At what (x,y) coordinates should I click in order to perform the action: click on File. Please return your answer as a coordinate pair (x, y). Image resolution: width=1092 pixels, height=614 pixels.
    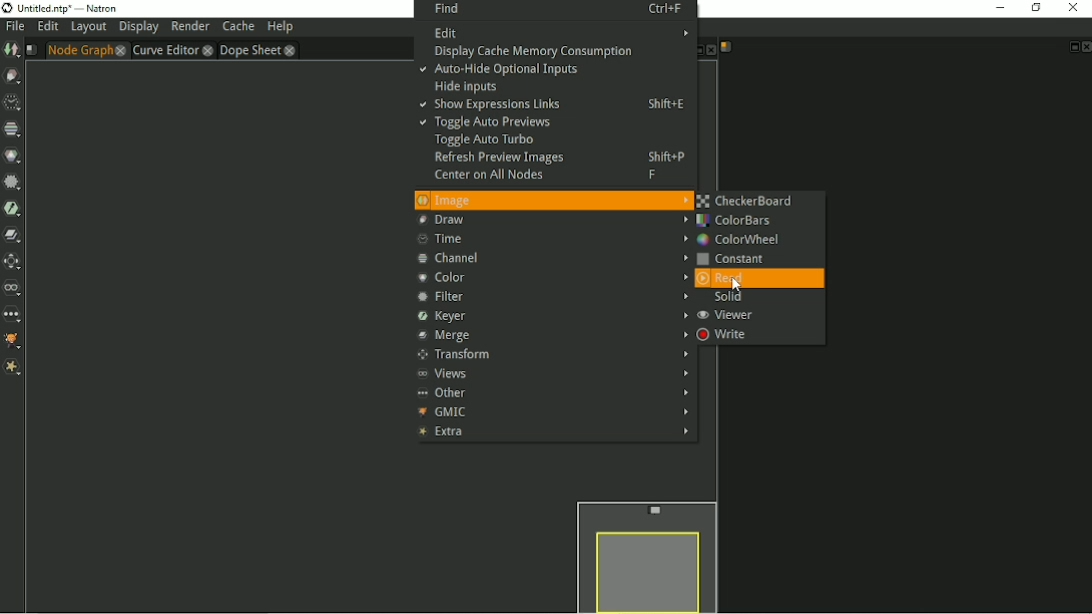
    Looking at the image, I should click on (14, 27).